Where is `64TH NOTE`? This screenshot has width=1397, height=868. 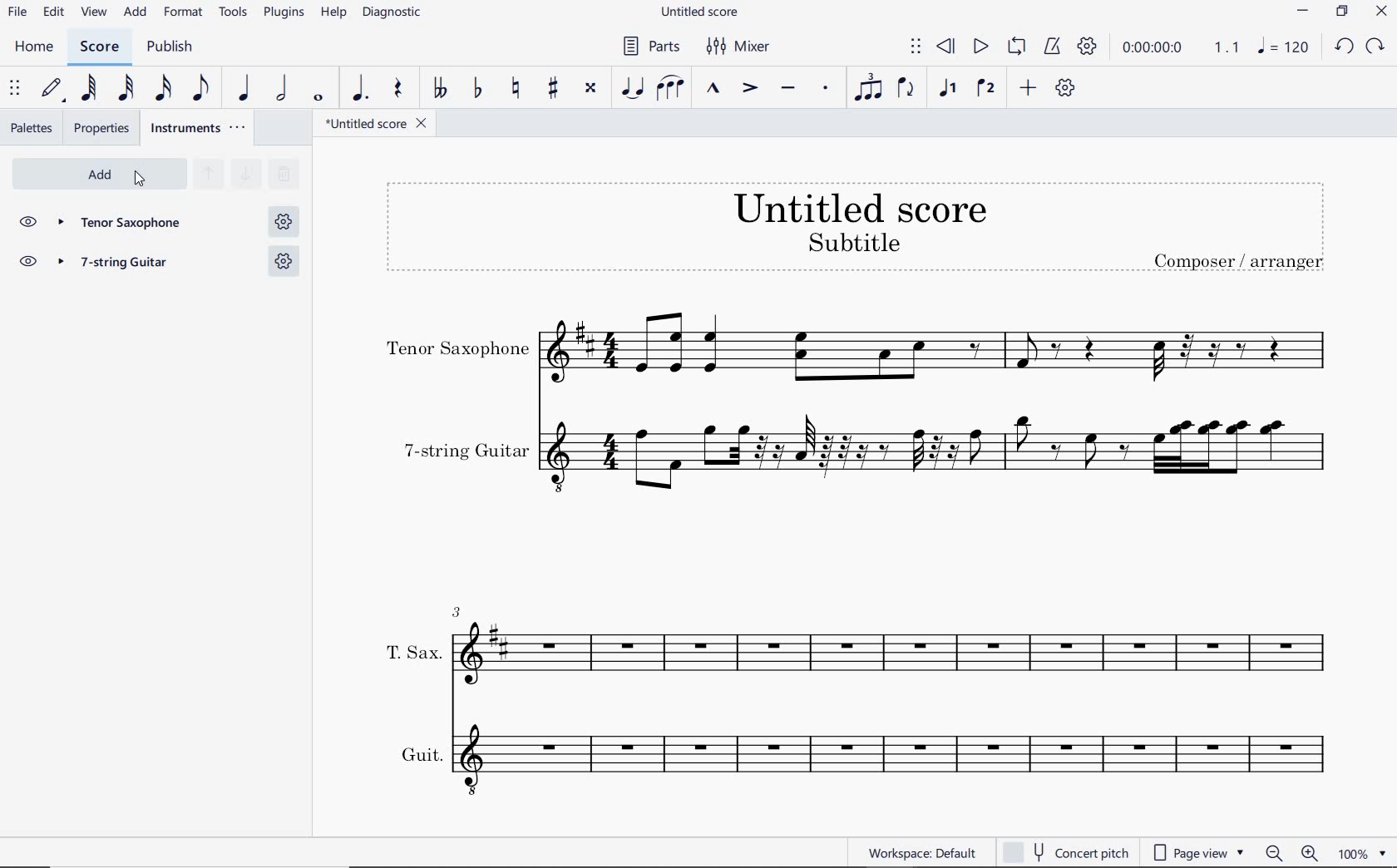 64TH NOTE is located at coordinates (87, 87).